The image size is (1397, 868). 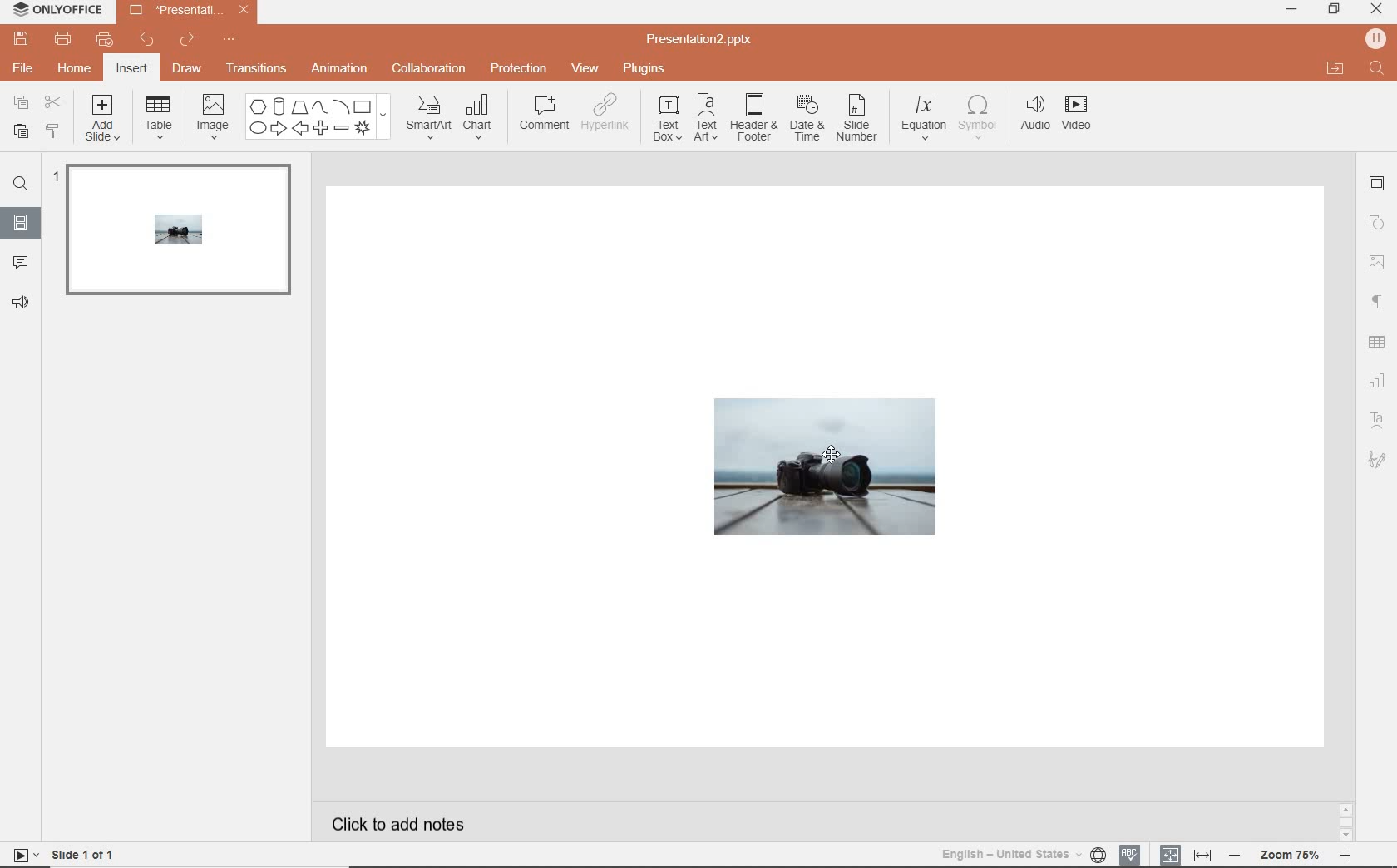 I want to click on slide, so click(x=175, y=236).